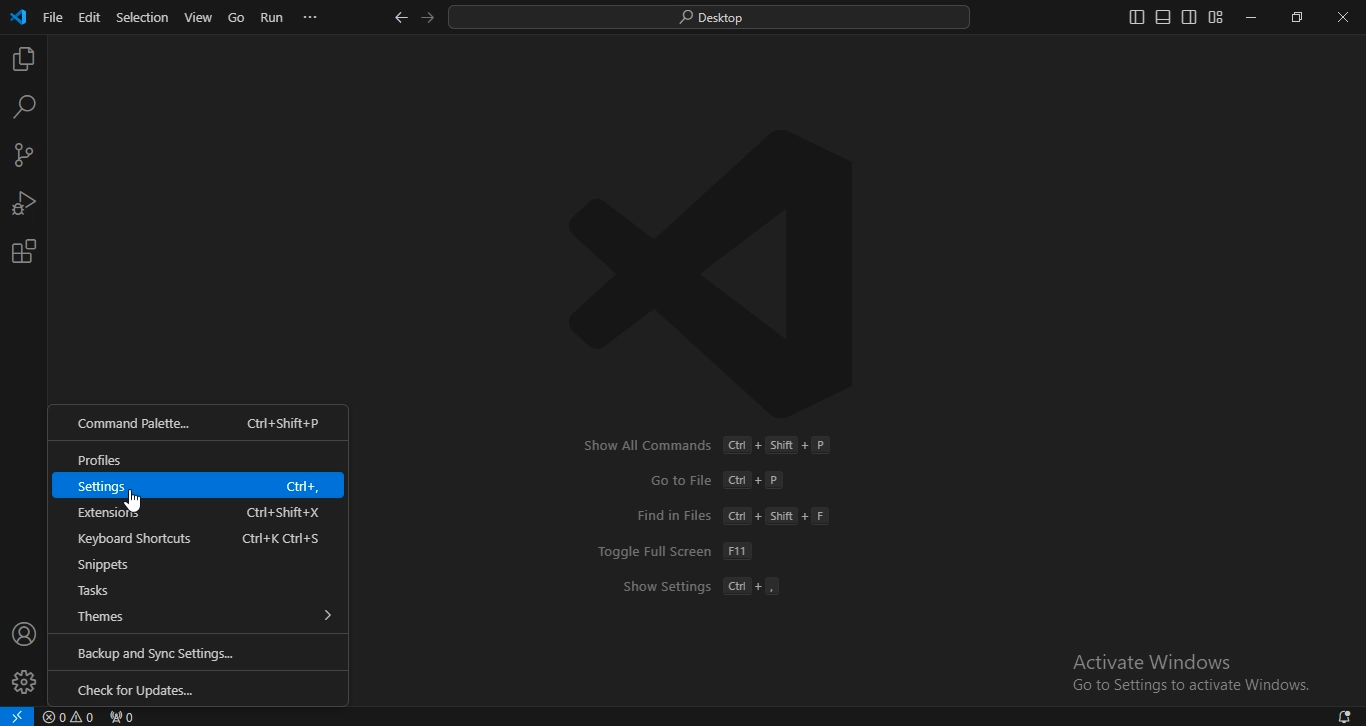 The width and height of the screenshot is (1366, 726). Describe the element at coordinates (402, 18) in the screenshot. I see `go back` at that location.